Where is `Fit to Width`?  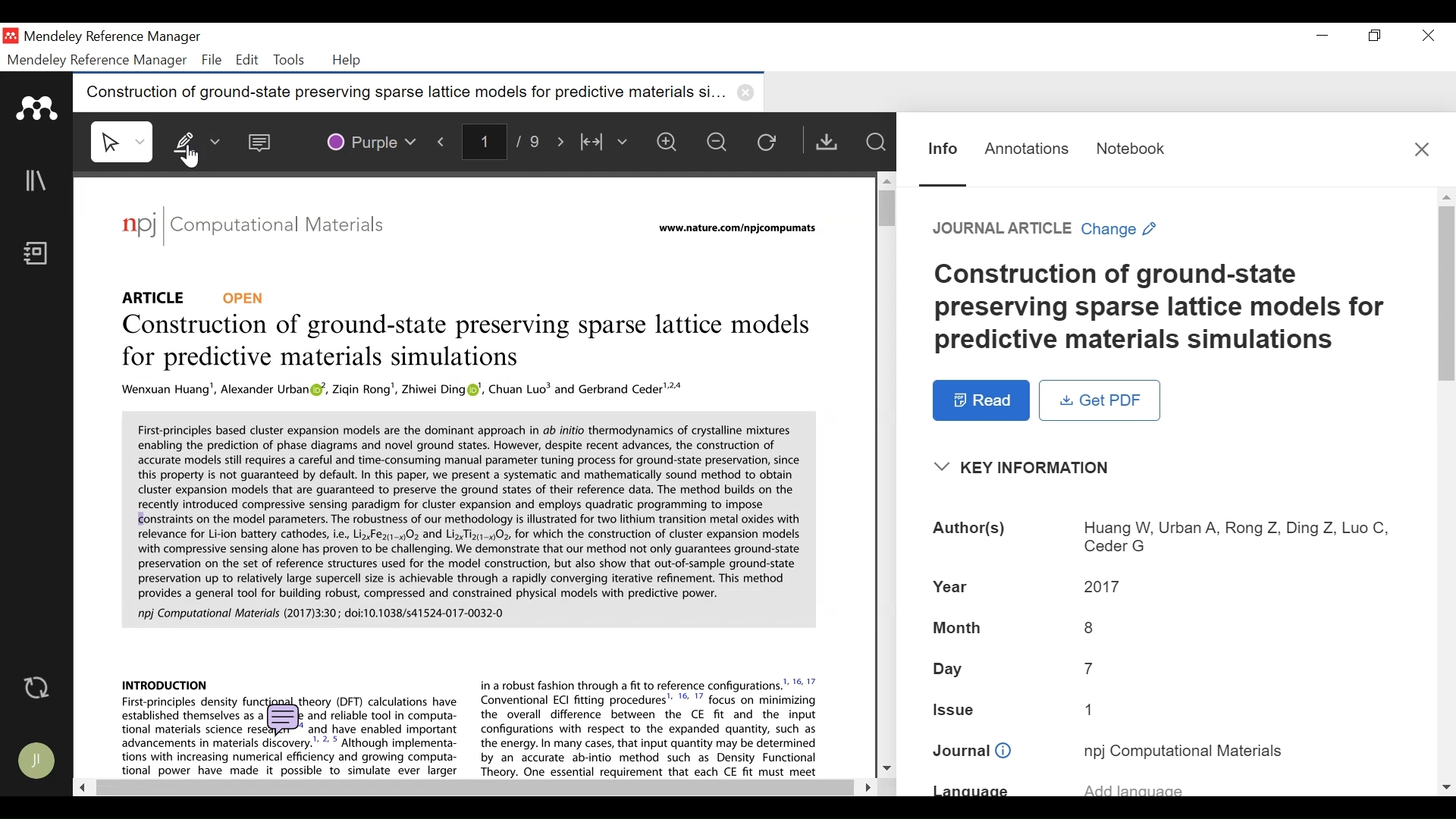 Fit to Width is located at coordinates (604, 143).